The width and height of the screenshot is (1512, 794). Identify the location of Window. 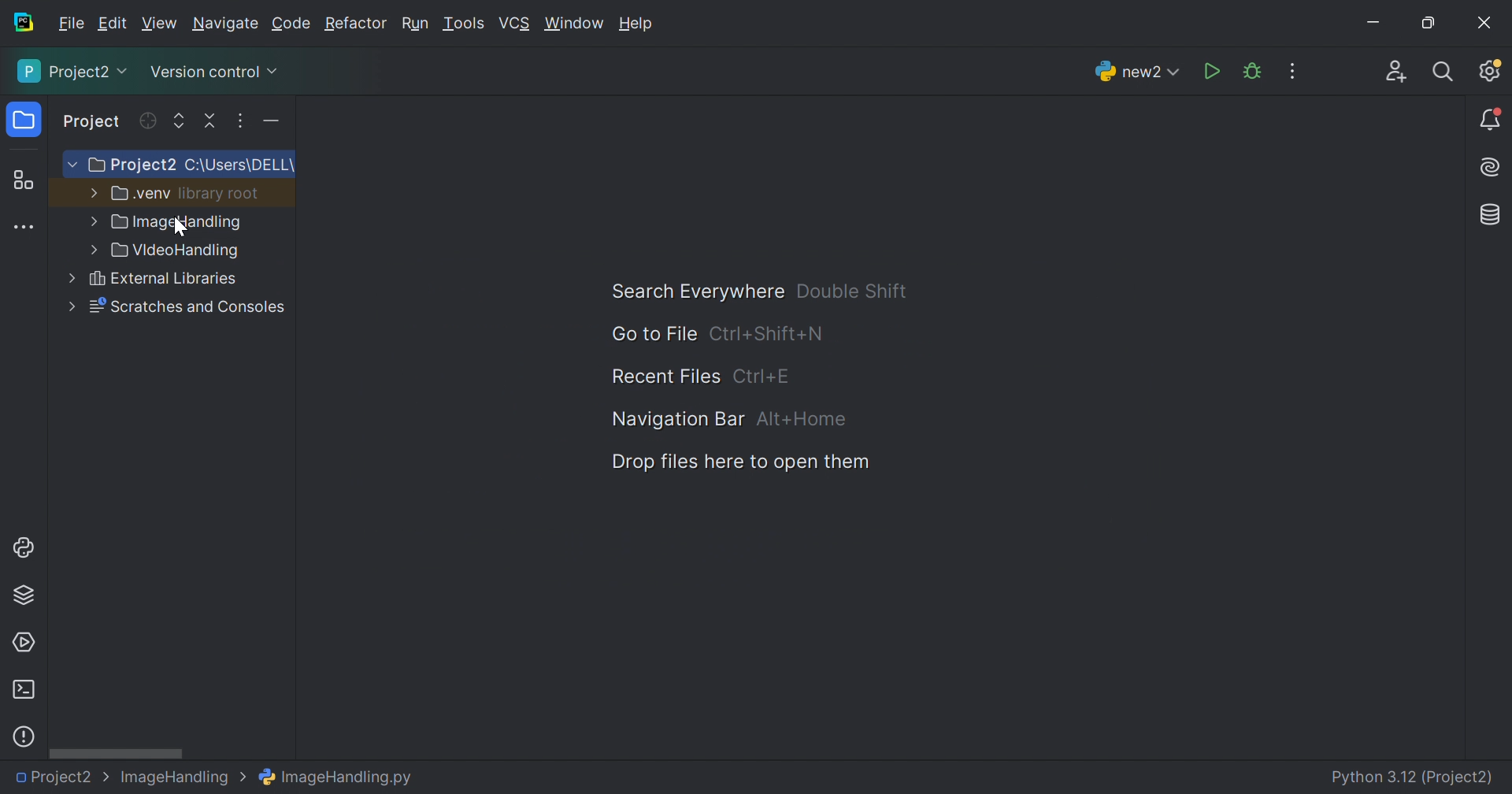
(575, 25).